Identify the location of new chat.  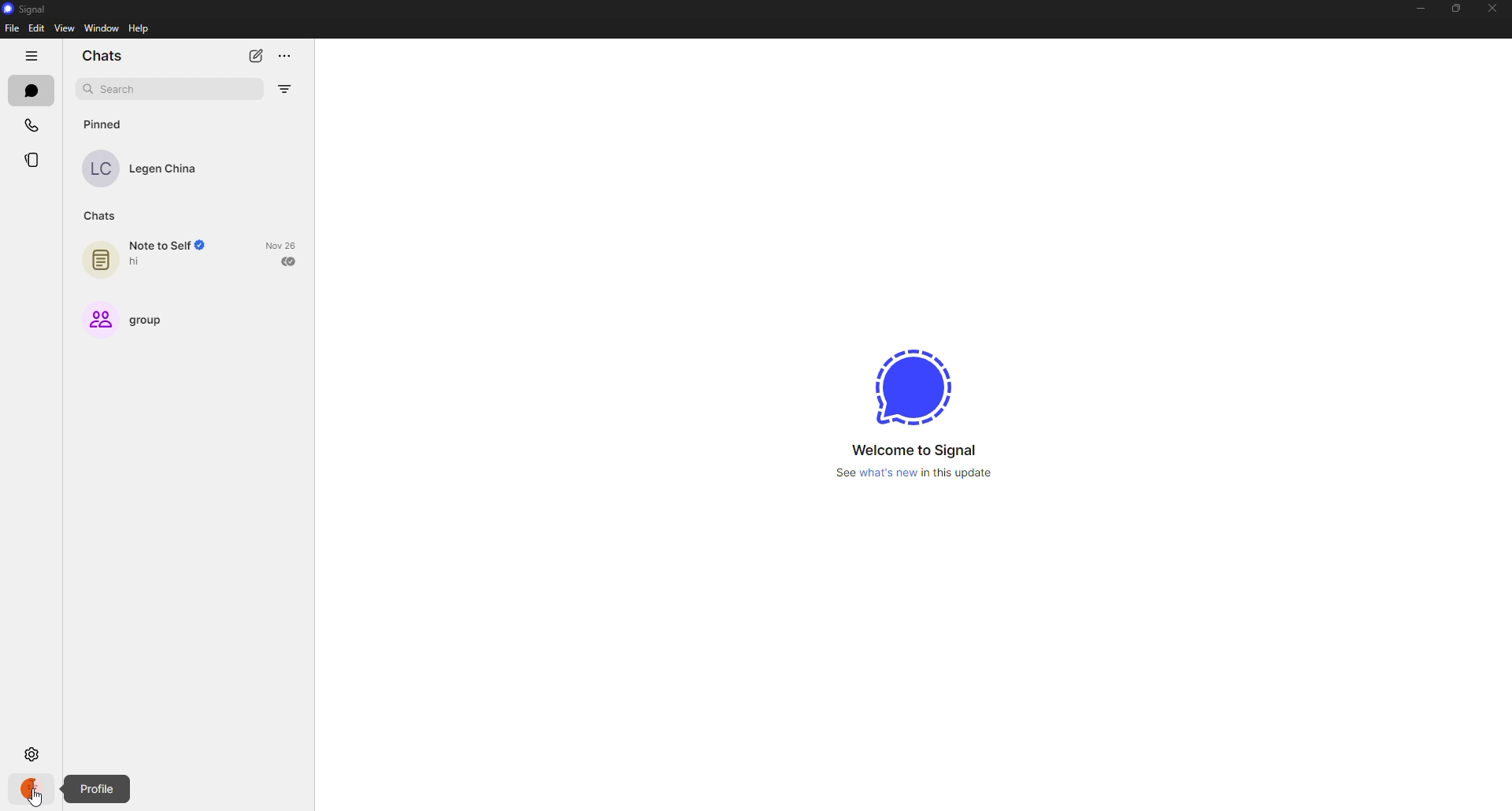
(260, 54).